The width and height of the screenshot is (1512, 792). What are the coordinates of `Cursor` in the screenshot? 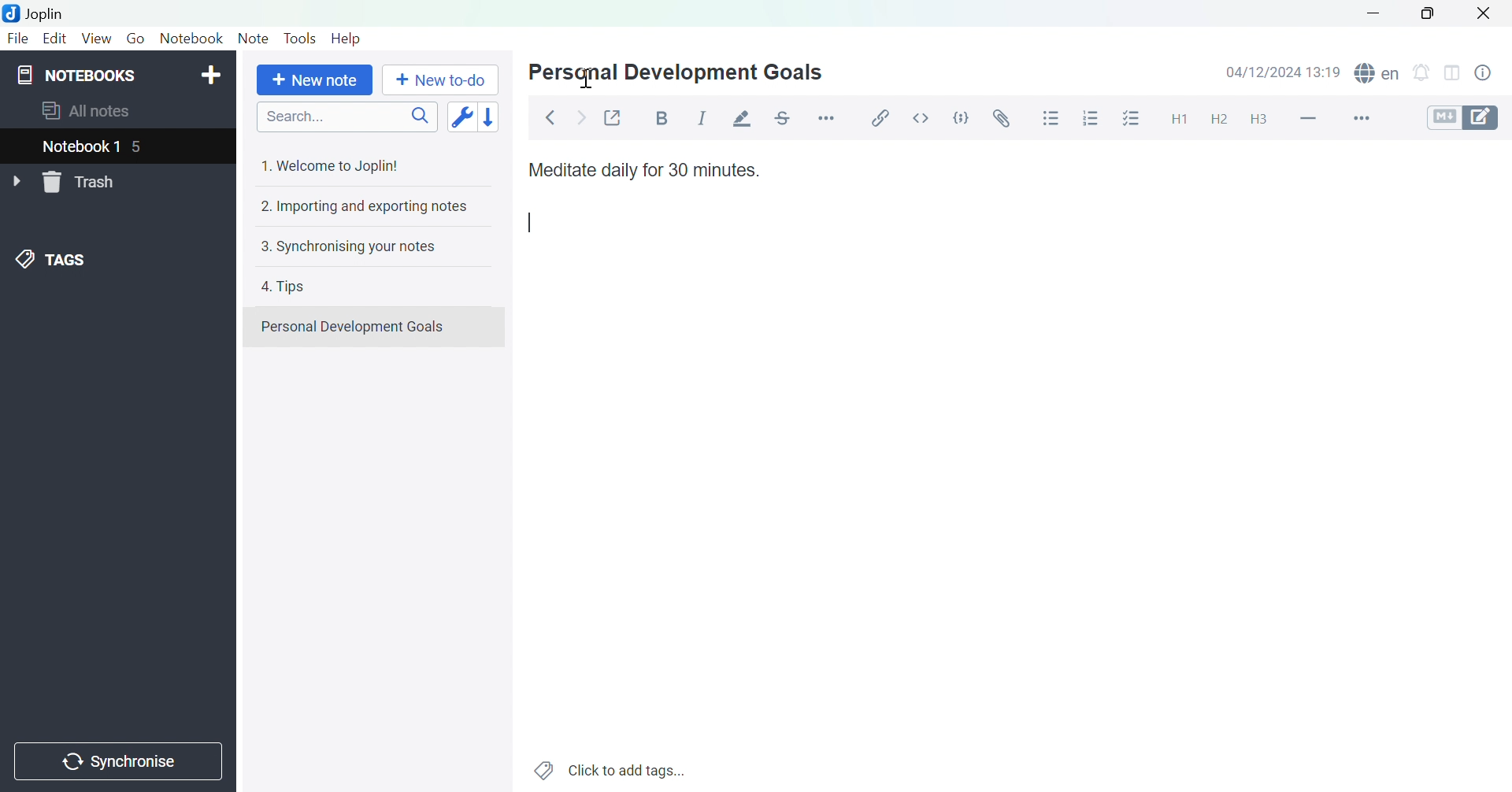 It's located at (585, 78).